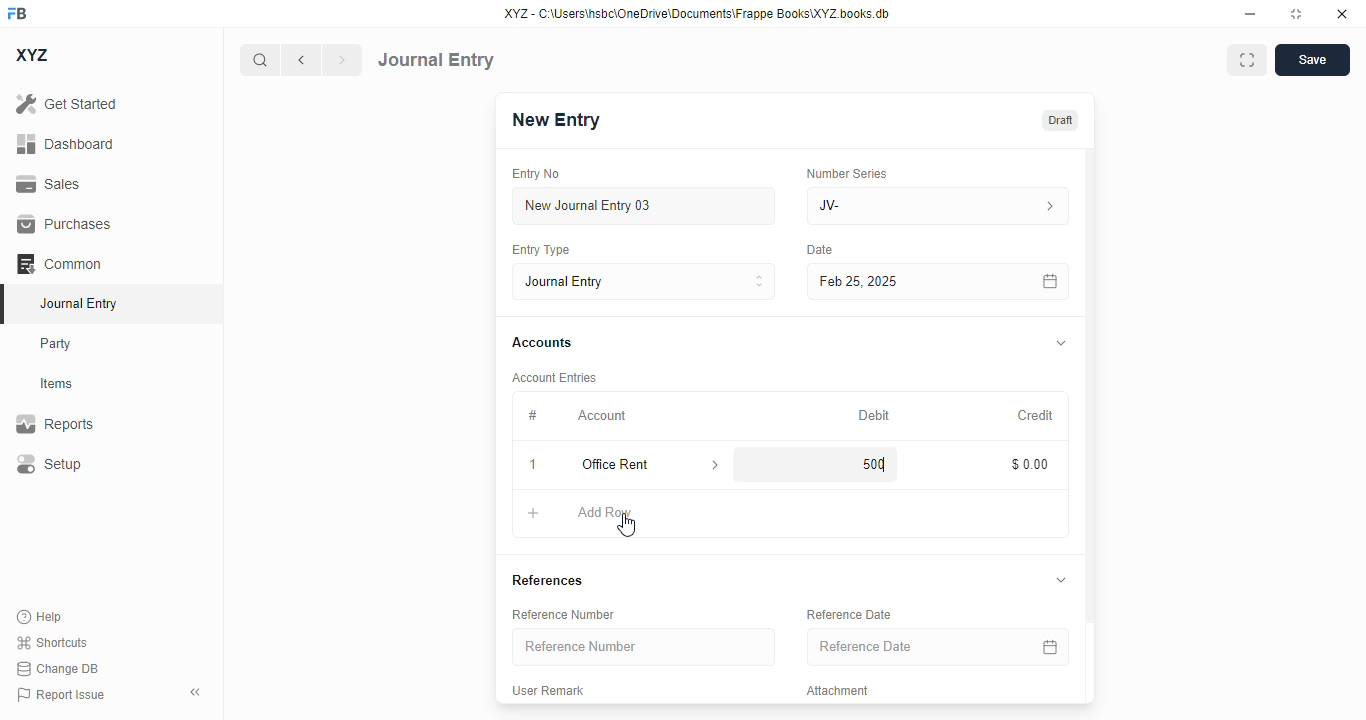 This screenshot has width=1366, height=720. Describe the element at coordinates (1061, 579) in the screenshot. I see `toggle expand/collapse` at that location.